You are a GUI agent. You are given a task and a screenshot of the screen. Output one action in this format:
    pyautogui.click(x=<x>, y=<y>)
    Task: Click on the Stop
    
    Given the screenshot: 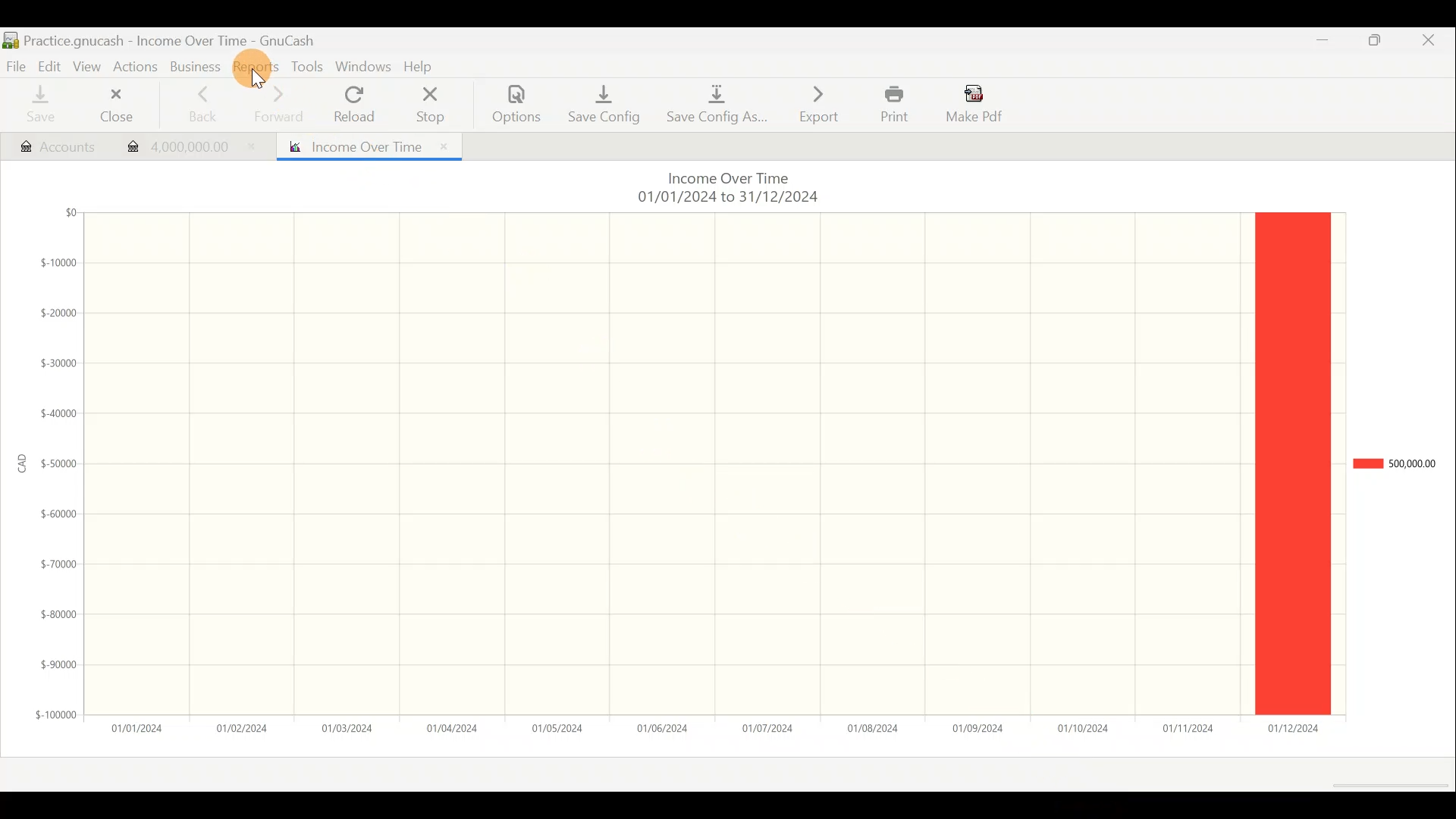 What is the action you would take?
    pyautogui.click(x=435, y=104)
    